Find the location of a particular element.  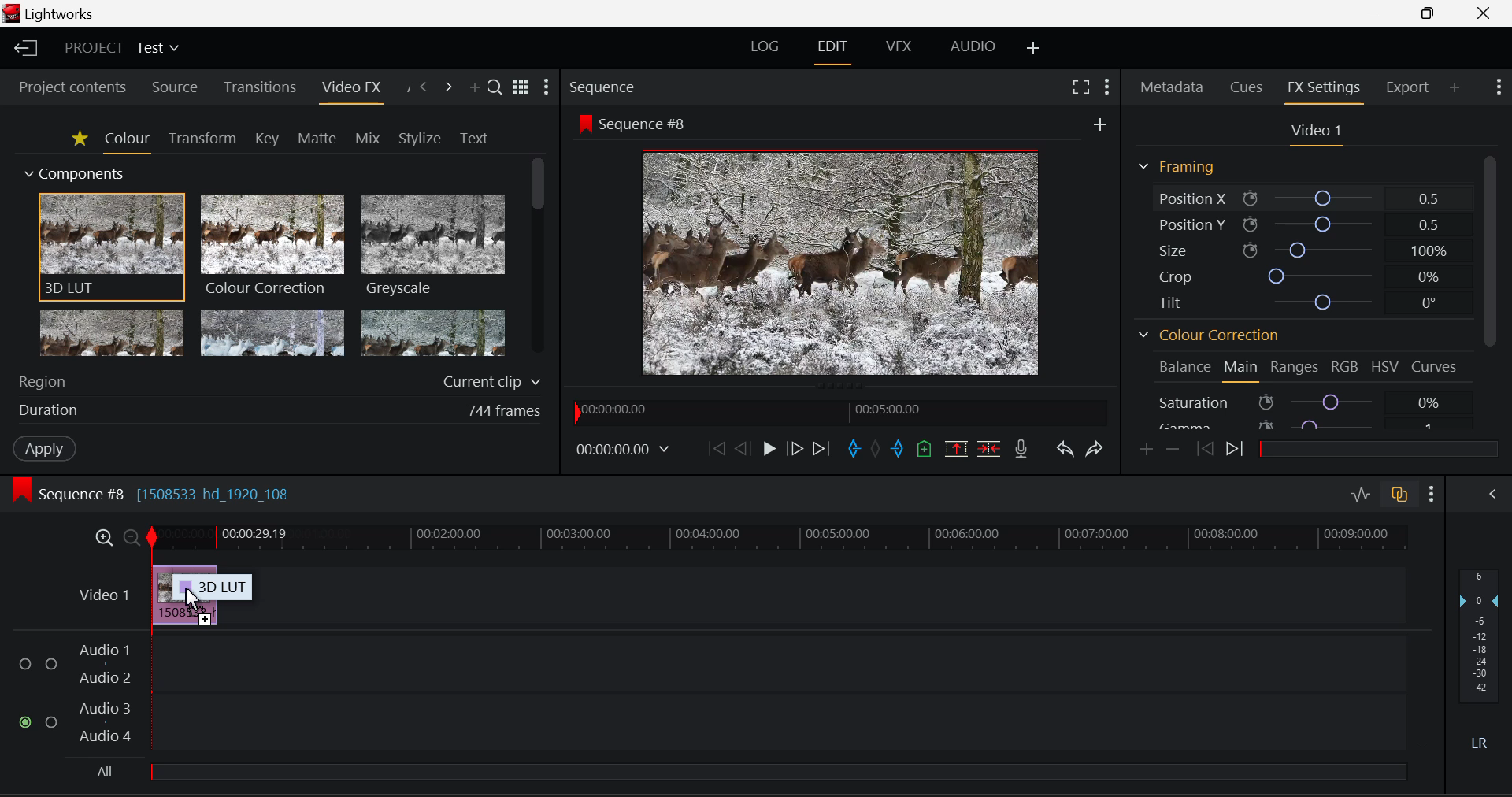

Add keyframe is located at coordinates (1145, 451).